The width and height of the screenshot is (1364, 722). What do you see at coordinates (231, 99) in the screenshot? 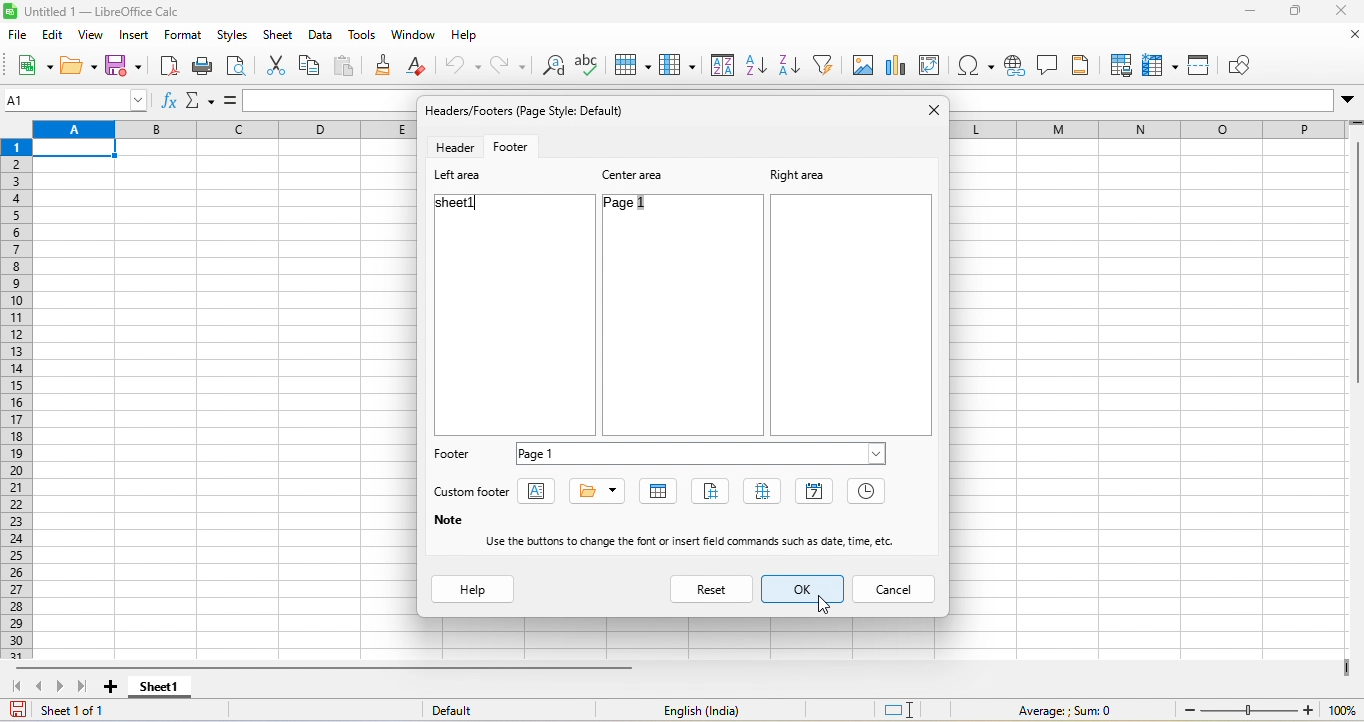
I see `formula` at bounding box center [231, 99].